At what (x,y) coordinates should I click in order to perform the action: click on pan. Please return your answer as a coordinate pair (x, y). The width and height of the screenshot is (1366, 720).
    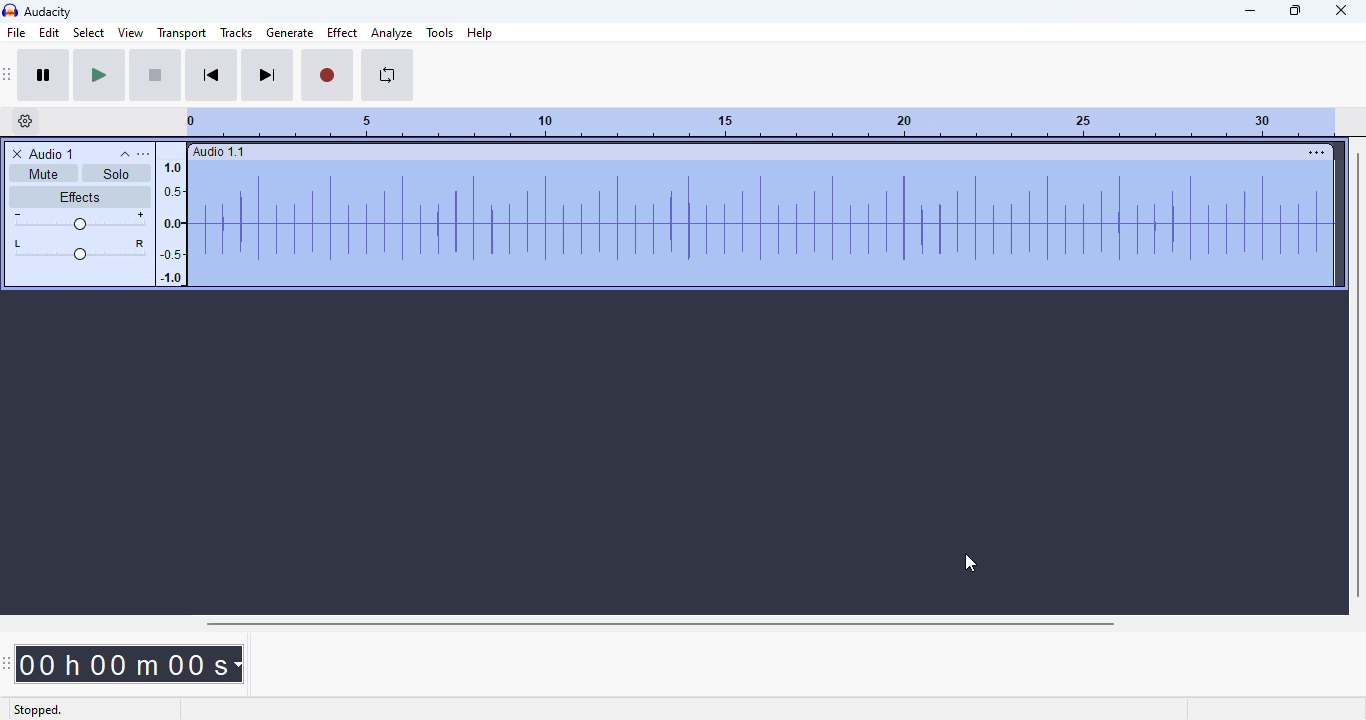
    Looking at the image, I should click on (79, 248).